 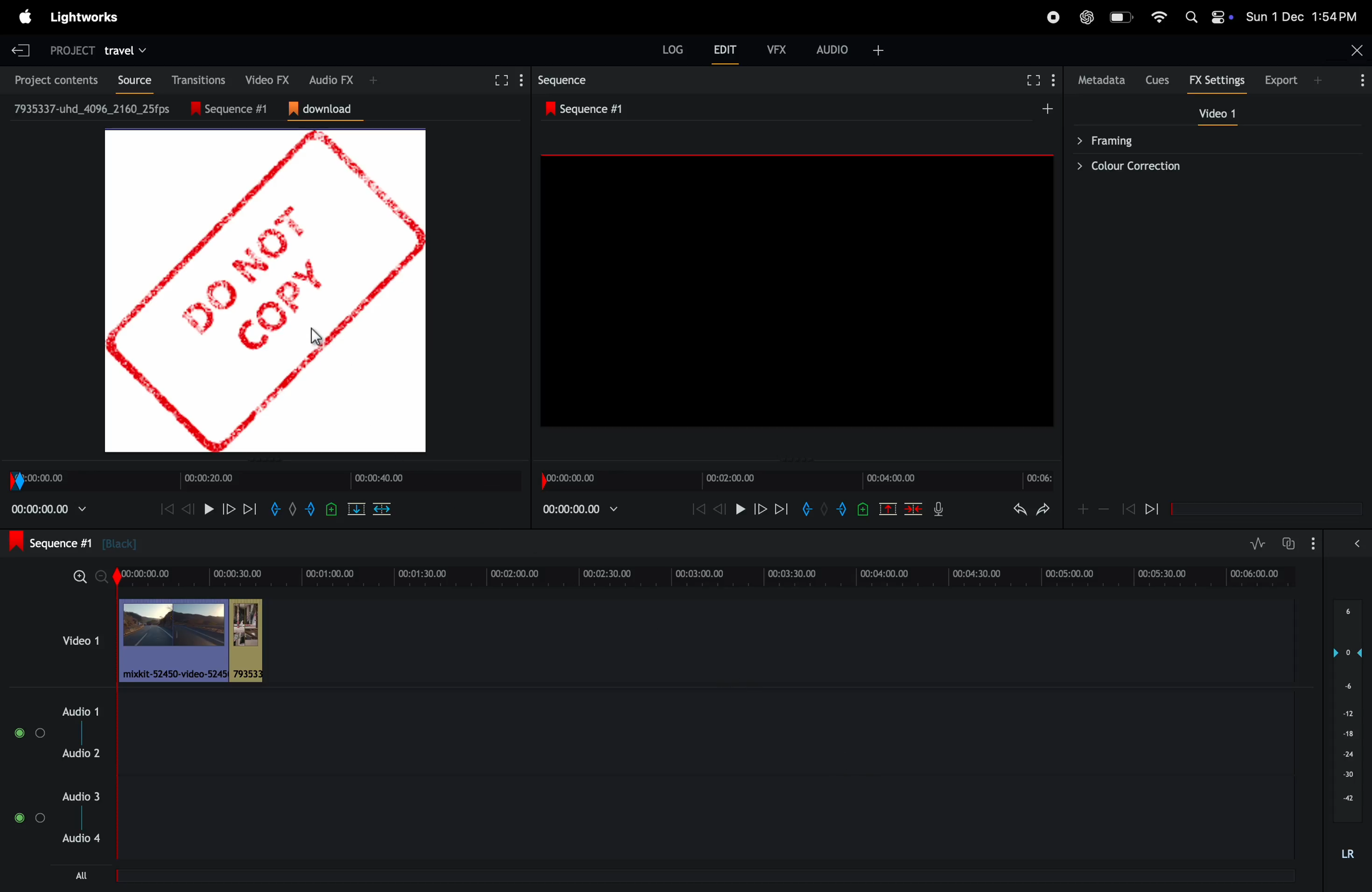 What do you see at coordinates (77, 712) in the screenshot?
I see `audio 1` at bounding box center [77, 712].